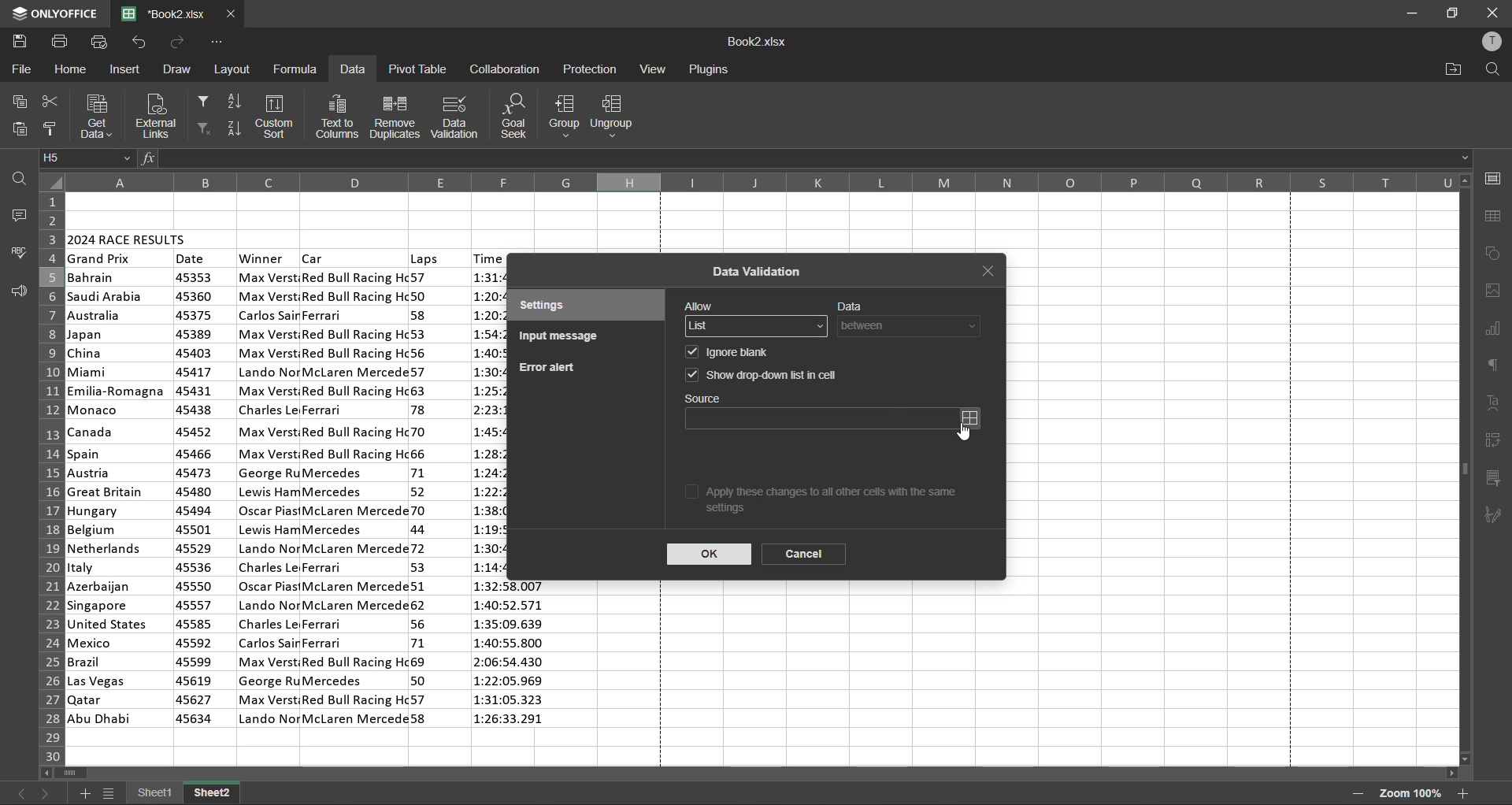 This screenshot has width=1512, height=805. What do you see at coordinates (691, 377) in the screenshot?
I see `checkbox` at bounding box center [691, 377].